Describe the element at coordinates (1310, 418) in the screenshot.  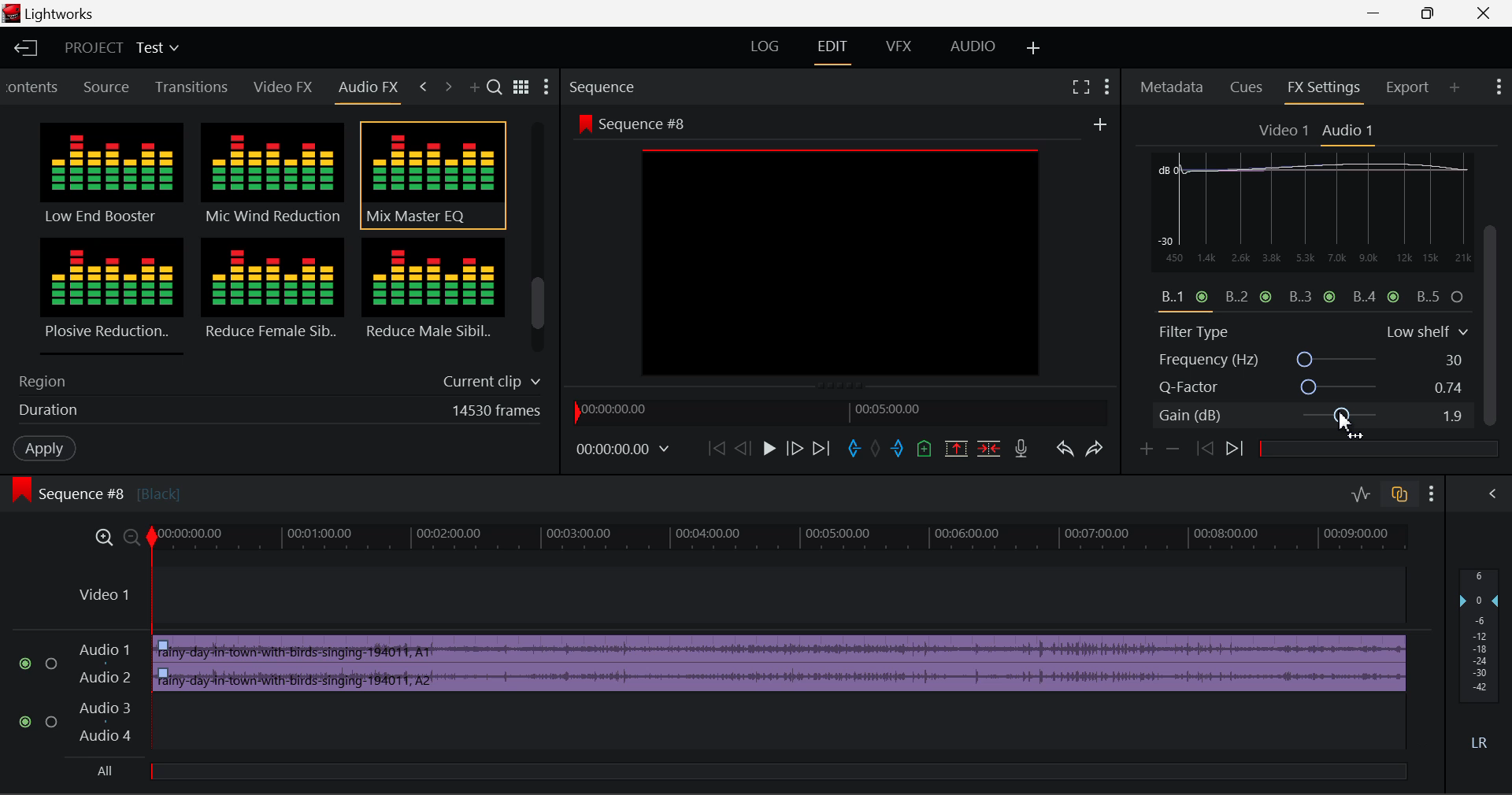
I see `Gain (dB)` at that location.